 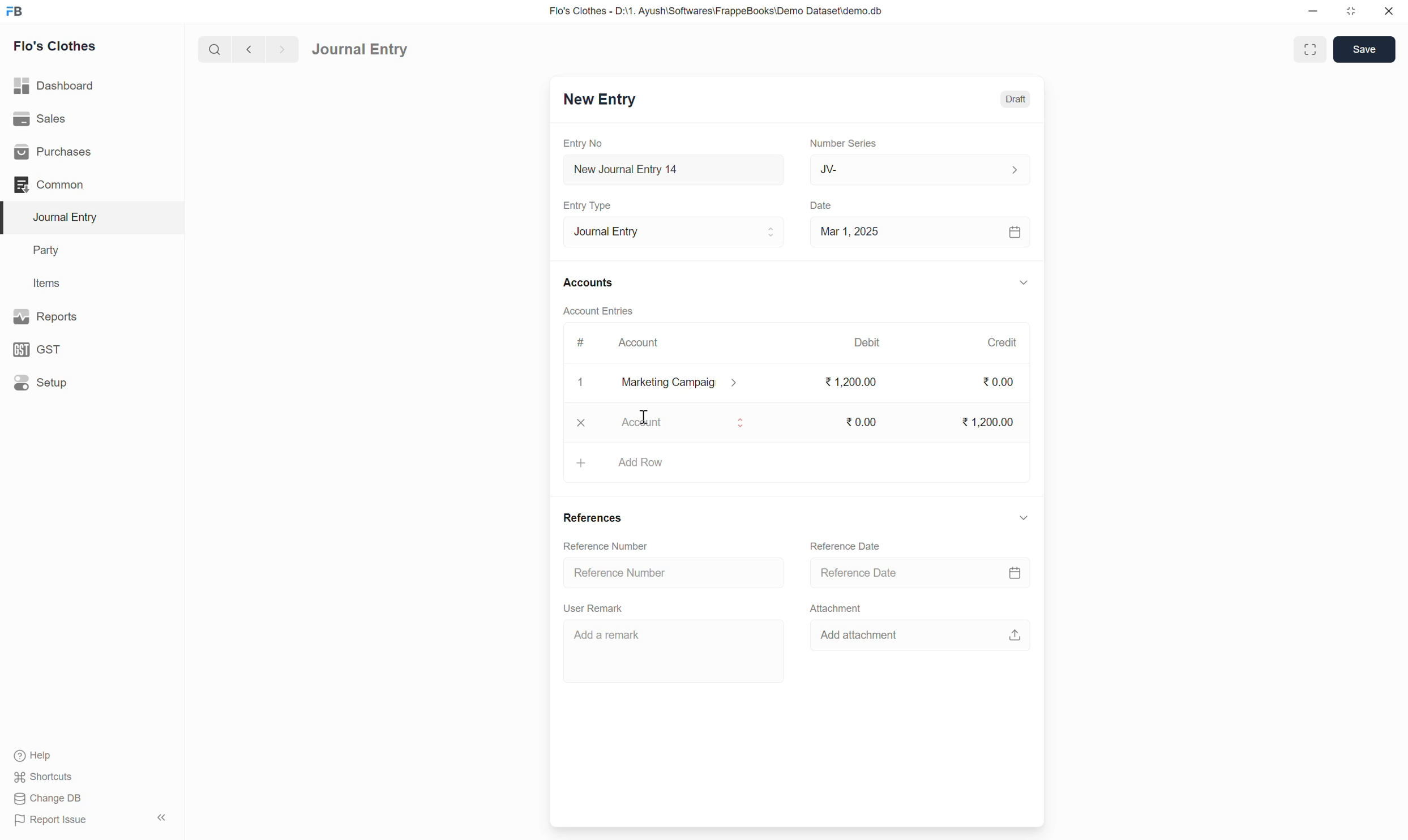 I want to click on +, so click(x=583, y=464).